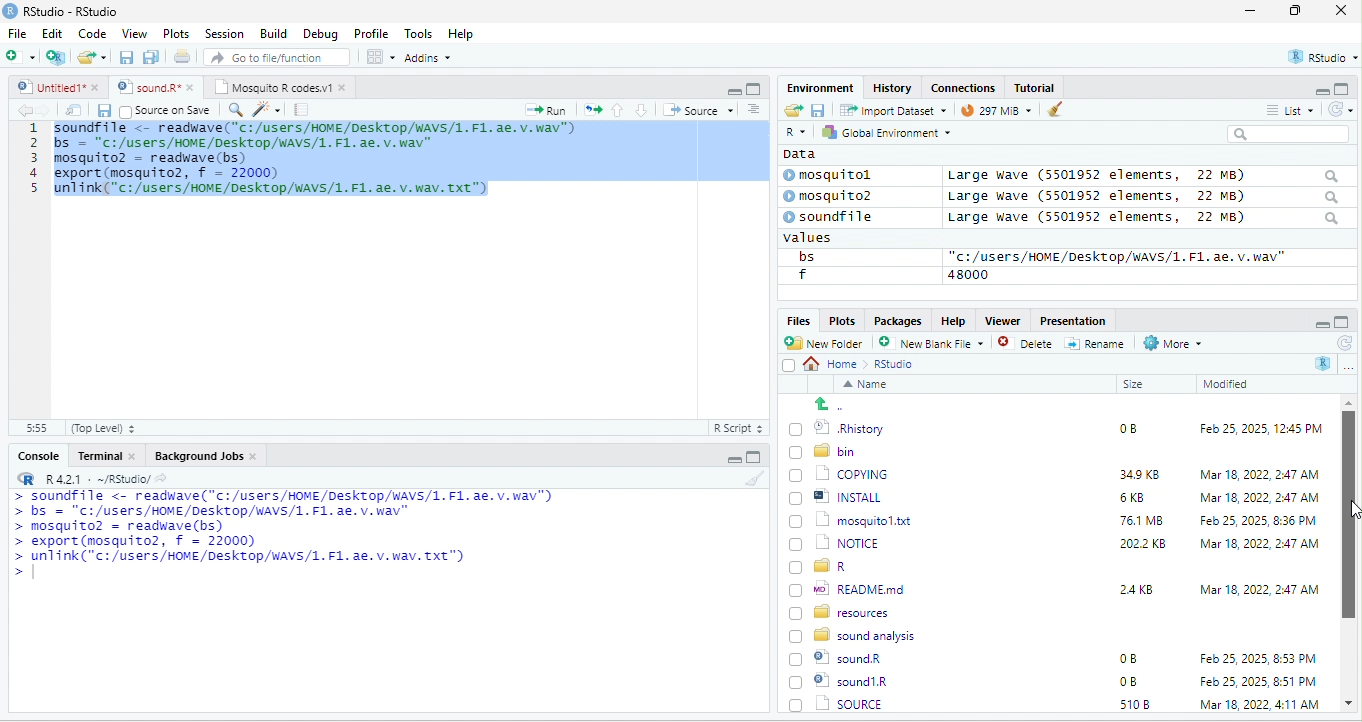 The width and height of the screenshot is (1362, 722). Describe the element at coordinates (1145, 704) in the screenshot. I see `1302 KB` at that location.